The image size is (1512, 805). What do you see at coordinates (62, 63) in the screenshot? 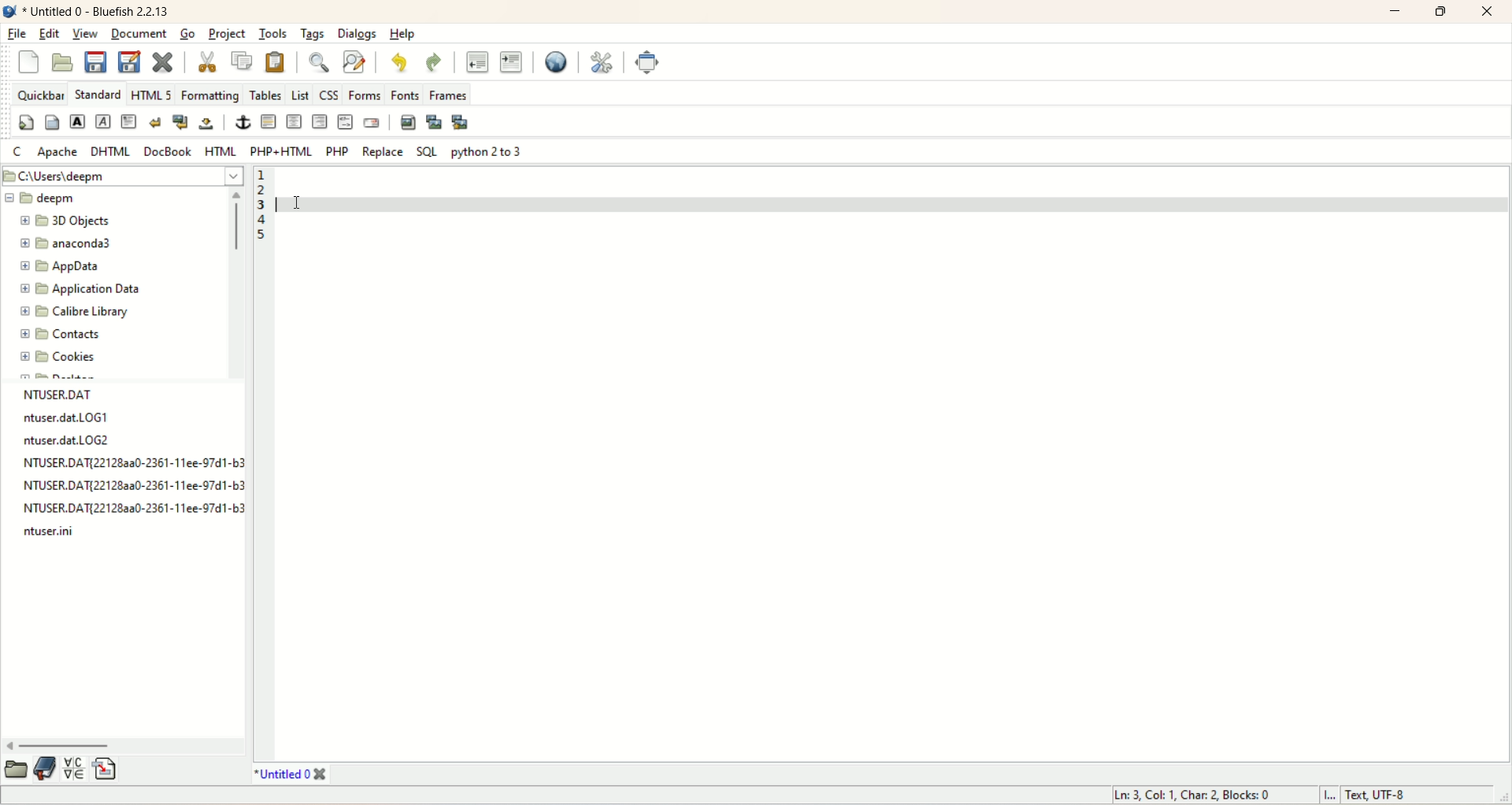
I see `open file` at bounding box center [62, 63].